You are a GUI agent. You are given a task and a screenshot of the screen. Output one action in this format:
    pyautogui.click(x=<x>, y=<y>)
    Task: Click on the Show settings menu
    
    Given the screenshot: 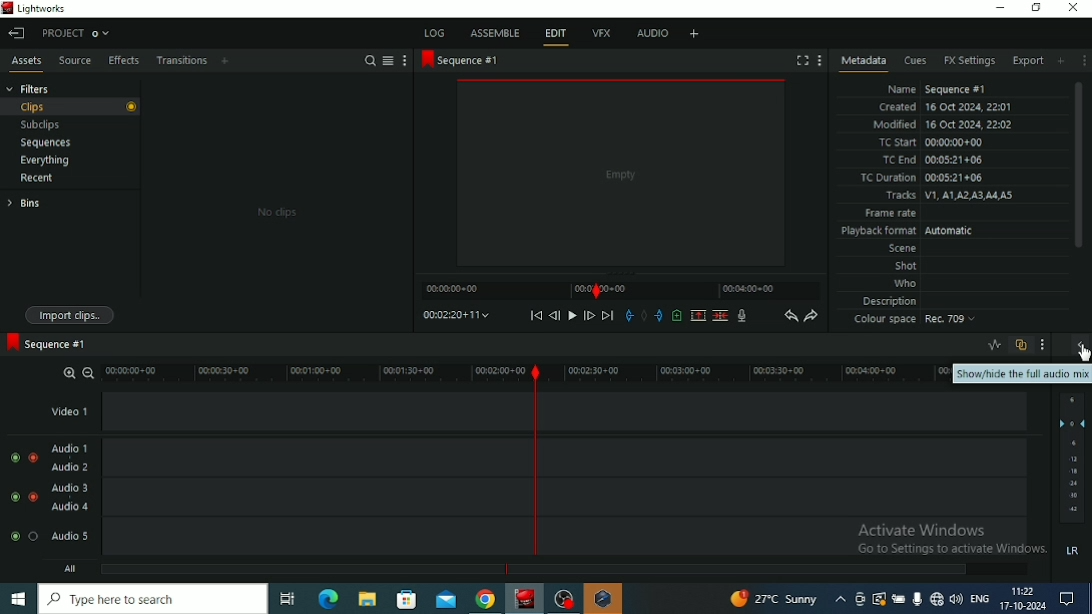 What is the action you would take?
    pyautogui.click(x=1084, y=61)
    